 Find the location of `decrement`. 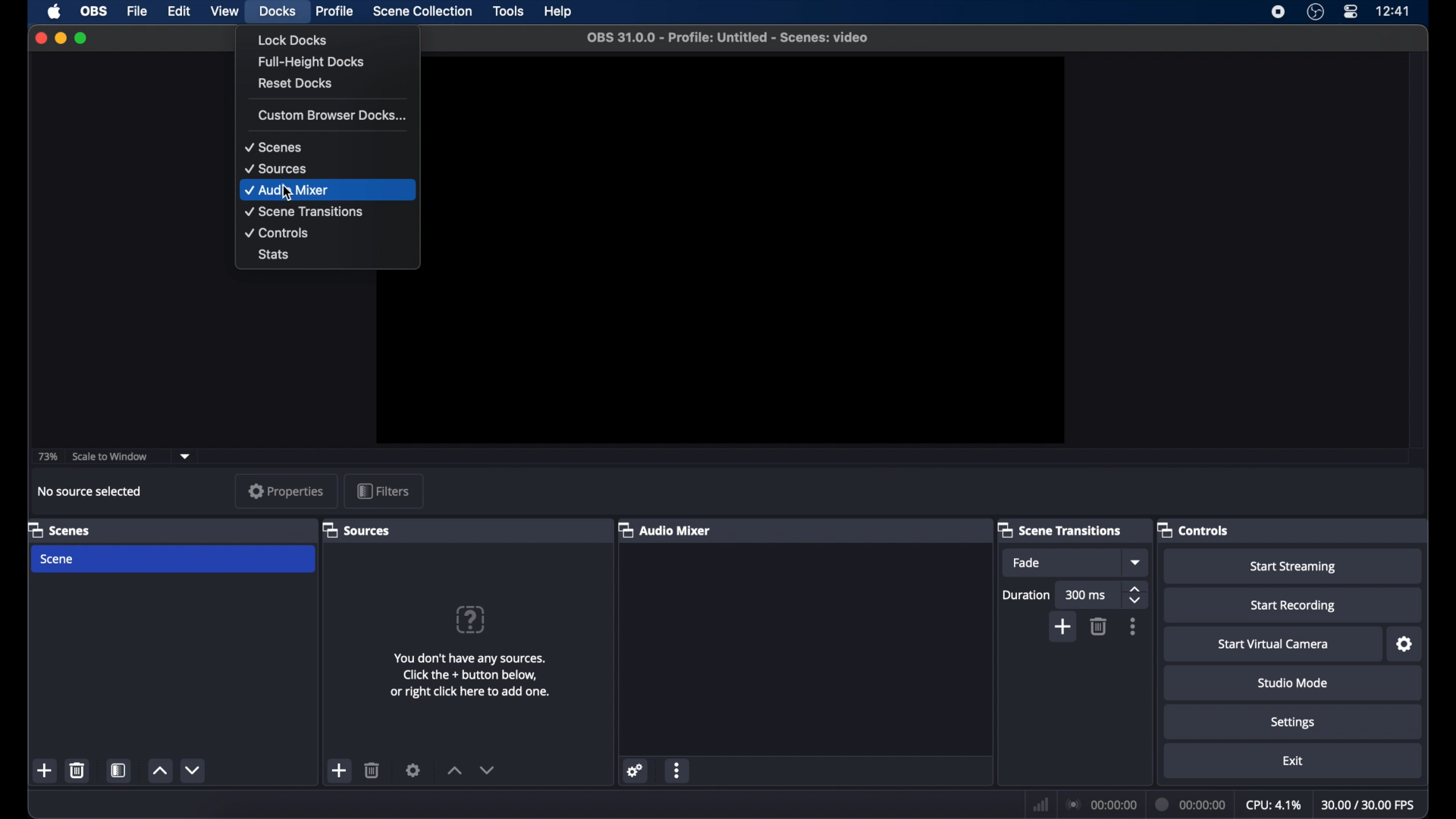

decrement is located at coordinates (194, 770).